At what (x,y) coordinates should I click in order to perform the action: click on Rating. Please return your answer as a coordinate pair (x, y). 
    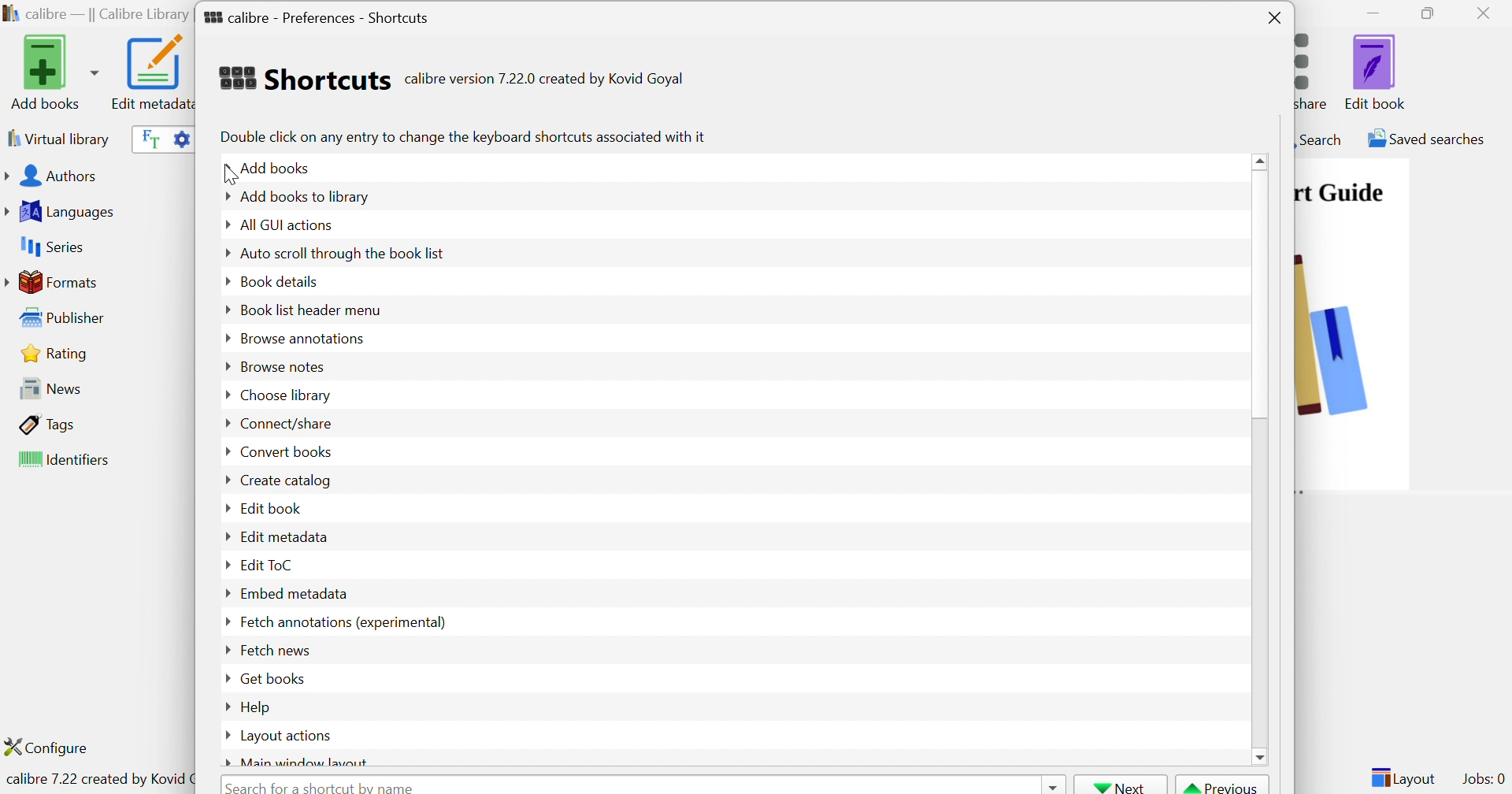
    Looking at the image, I should click on (57, 353).